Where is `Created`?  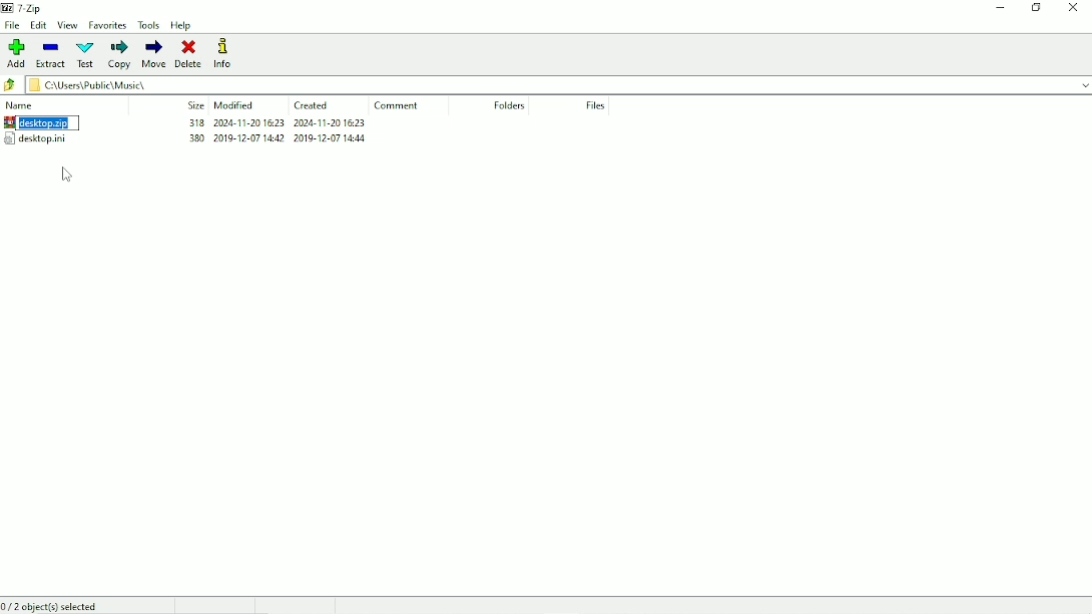
Created is located at coordinates (312, 106).